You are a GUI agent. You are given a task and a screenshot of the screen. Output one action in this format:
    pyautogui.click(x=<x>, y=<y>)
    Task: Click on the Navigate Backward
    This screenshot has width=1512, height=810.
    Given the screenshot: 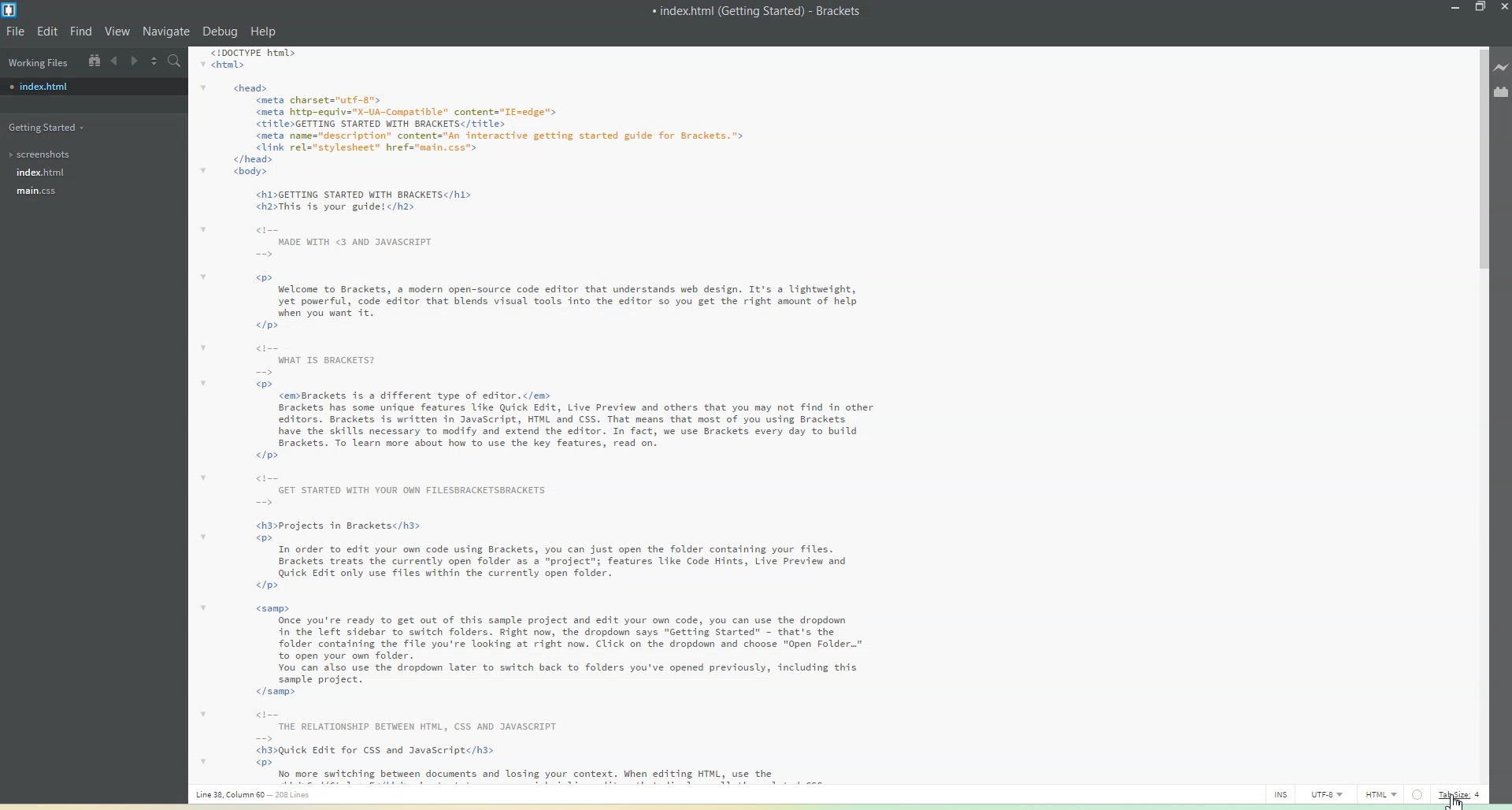 What is the action you would take?
    pyautogui.click(x=115, y=61)
    